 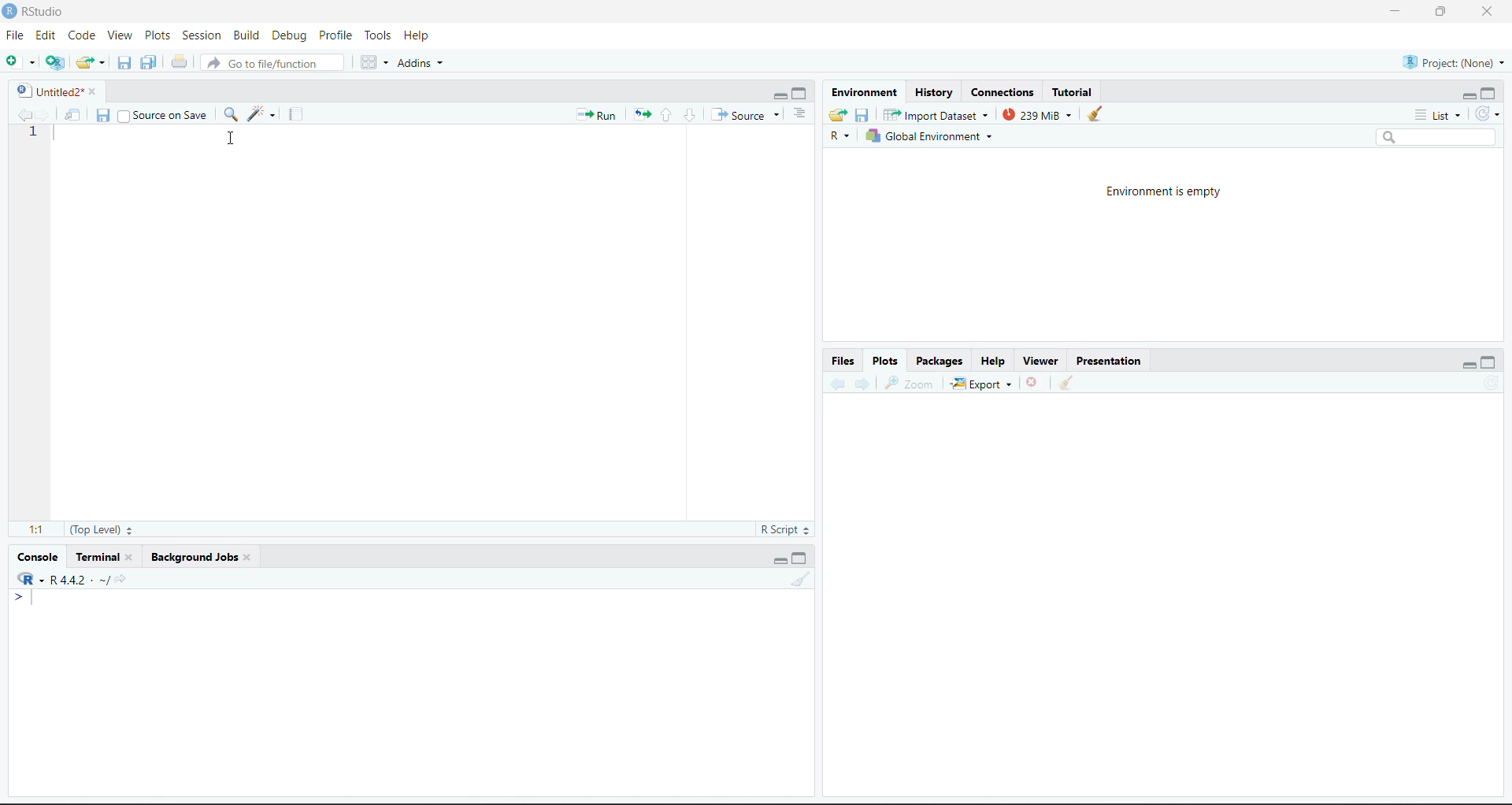 I want to click on (Top Level), so click(x=103, y=529).